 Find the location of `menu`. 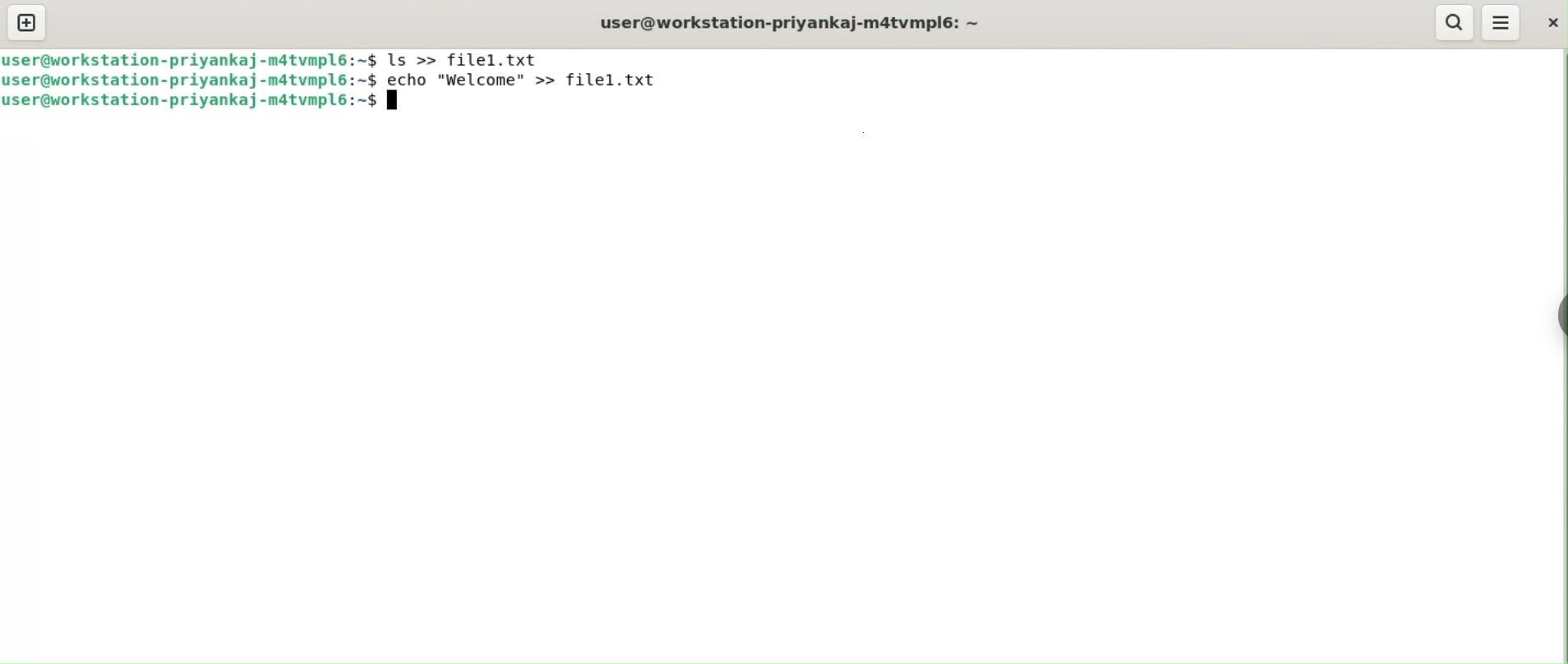

menu is located at coordinates (1501, 21).